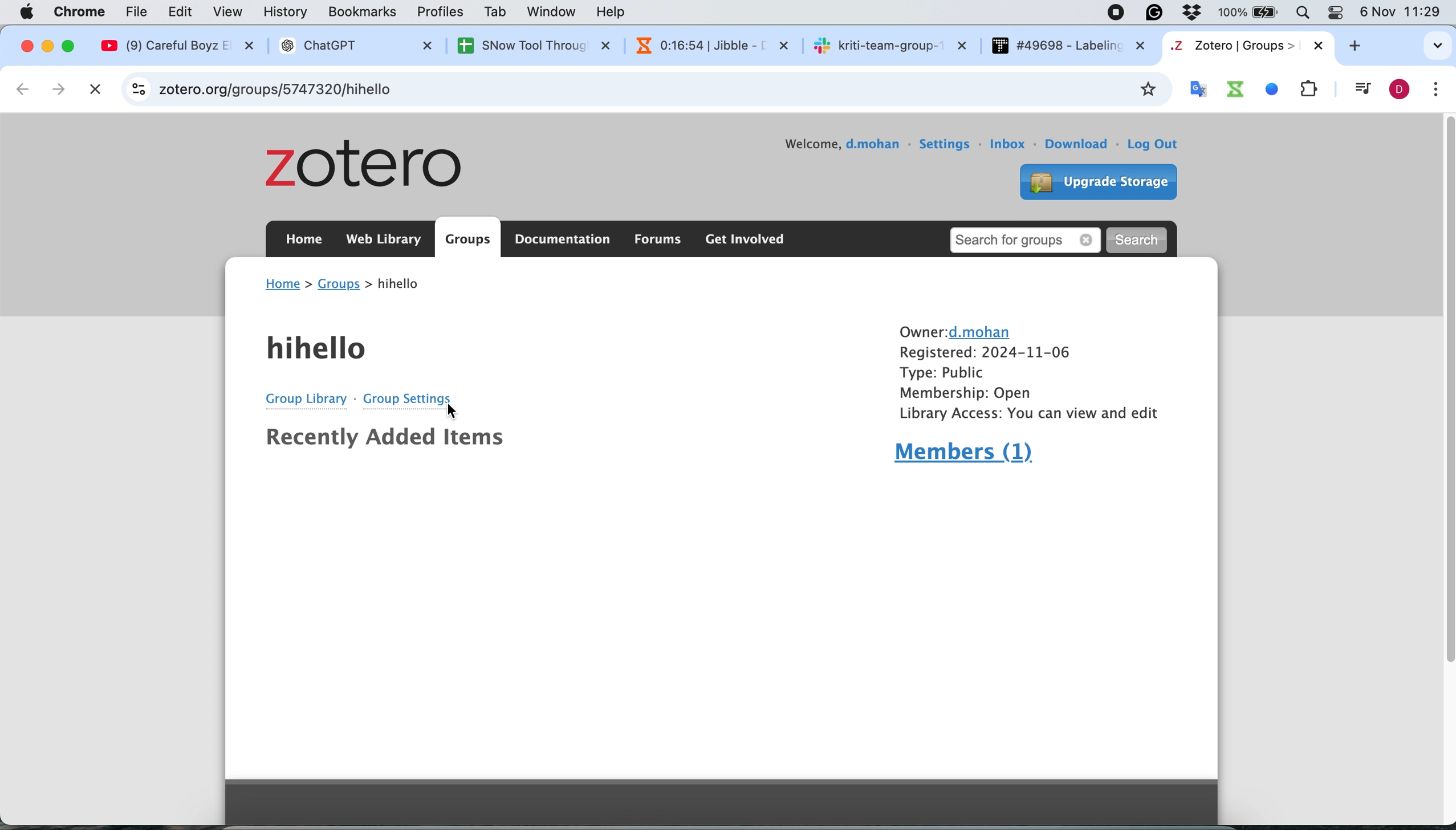  I want to click on help, so click(616, 11).